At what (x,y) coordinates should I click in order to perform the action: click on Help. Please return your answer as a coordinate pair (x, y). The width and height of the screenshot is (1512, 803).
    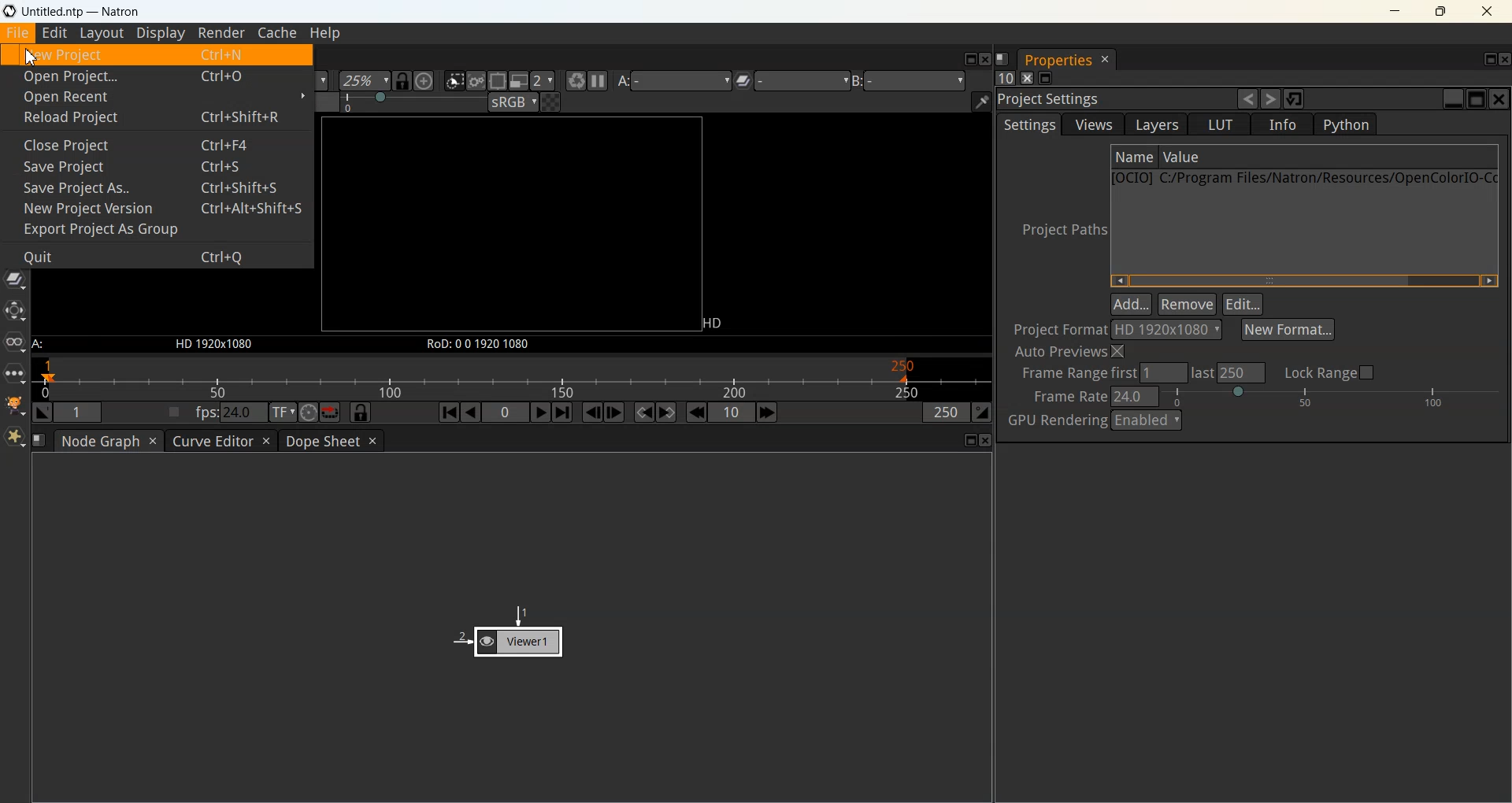
    Looking at the image, I should click on (324, 34).